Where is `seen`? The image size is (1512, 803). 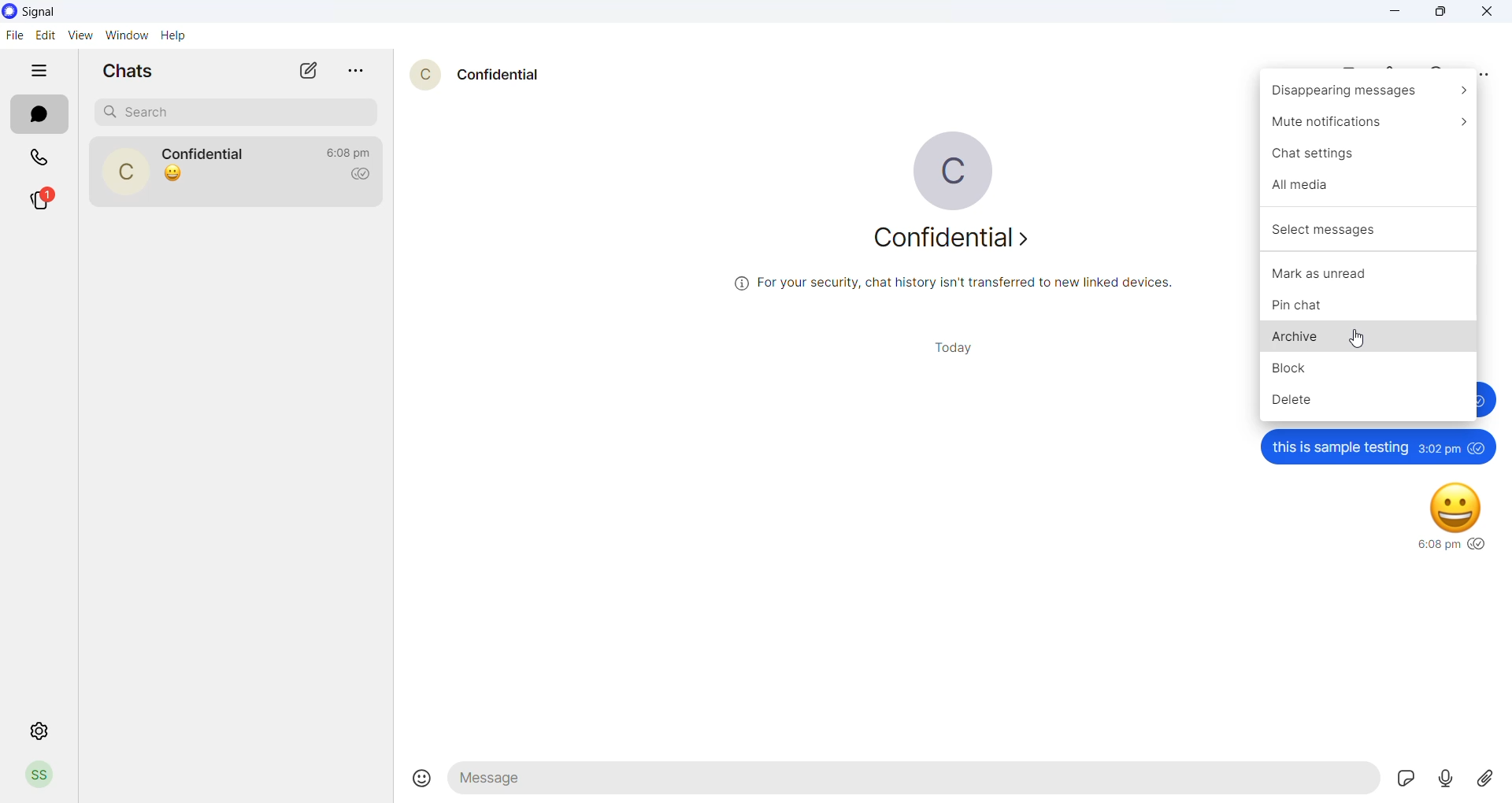 seen is located at coordinates (1474, 542).